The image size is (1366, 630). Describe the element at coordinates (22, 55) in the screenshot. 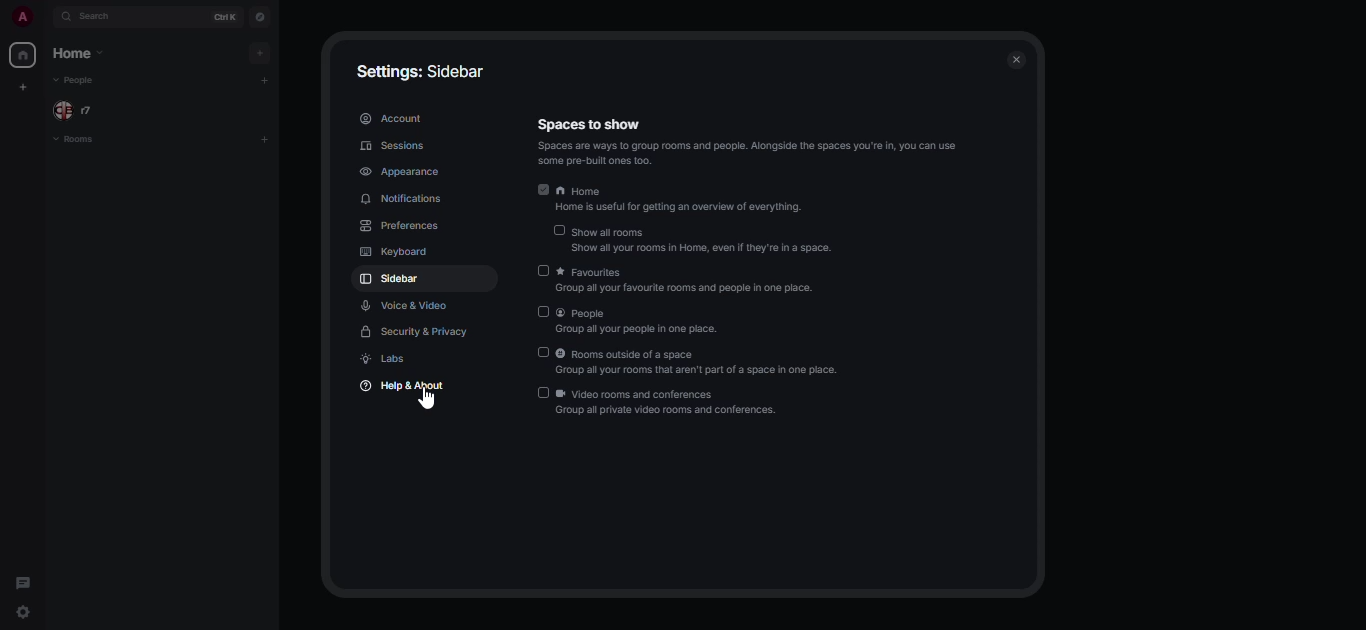

I see `home` at that location.